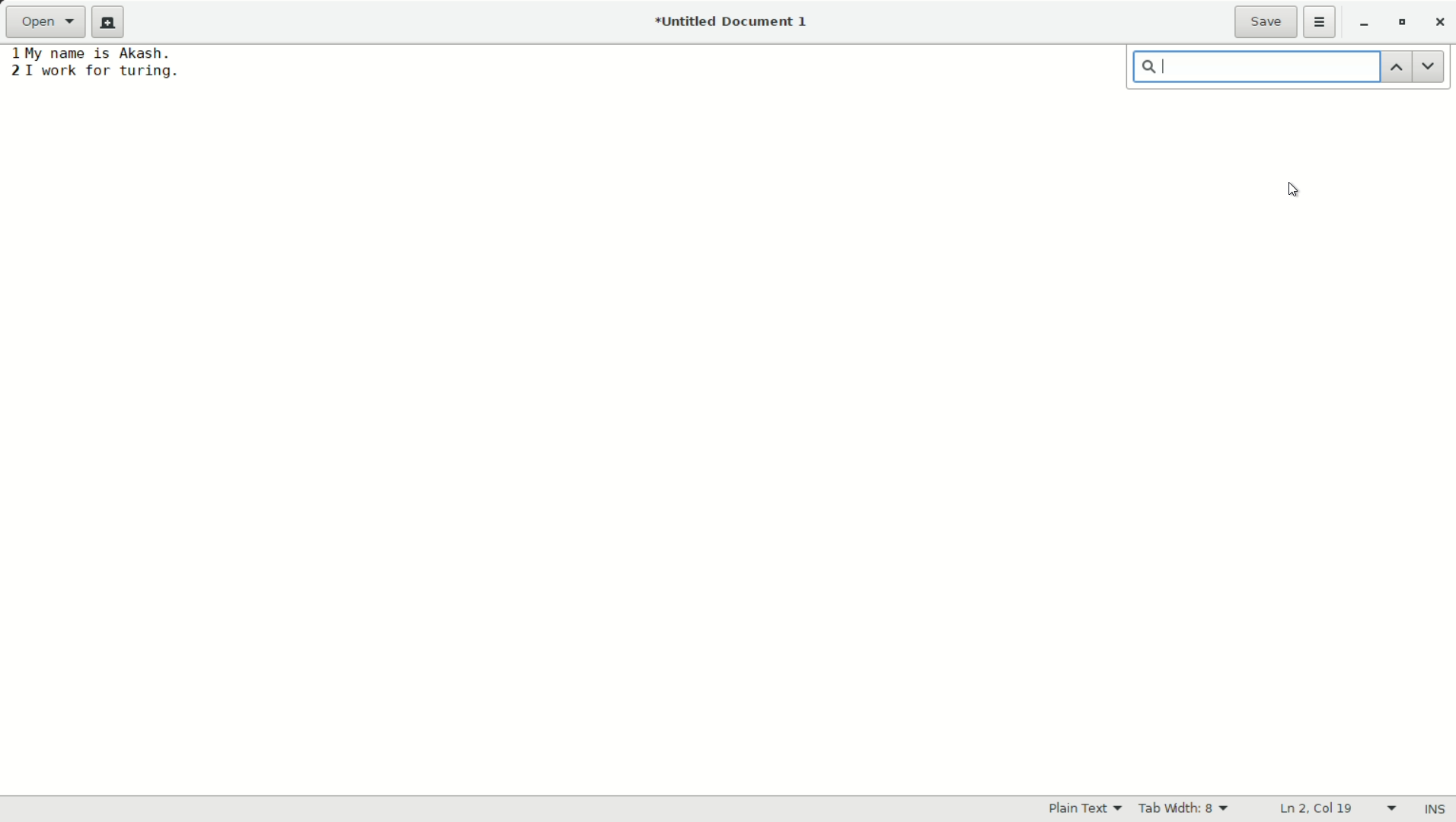  I want to click on maximize or restore, so click(1403, 23).